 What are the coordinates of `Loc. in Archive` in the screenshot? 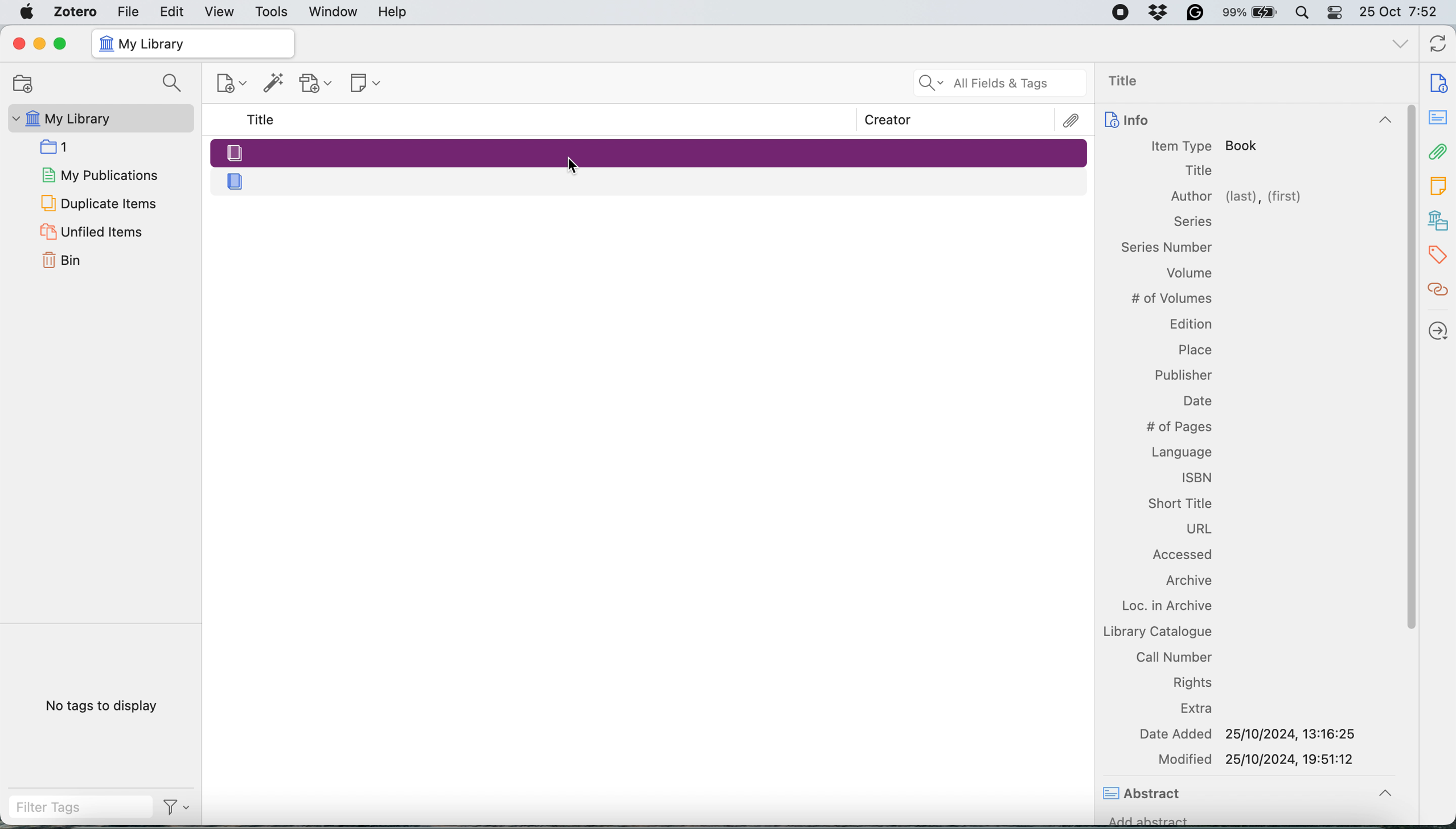 It's located at (1159, 606).